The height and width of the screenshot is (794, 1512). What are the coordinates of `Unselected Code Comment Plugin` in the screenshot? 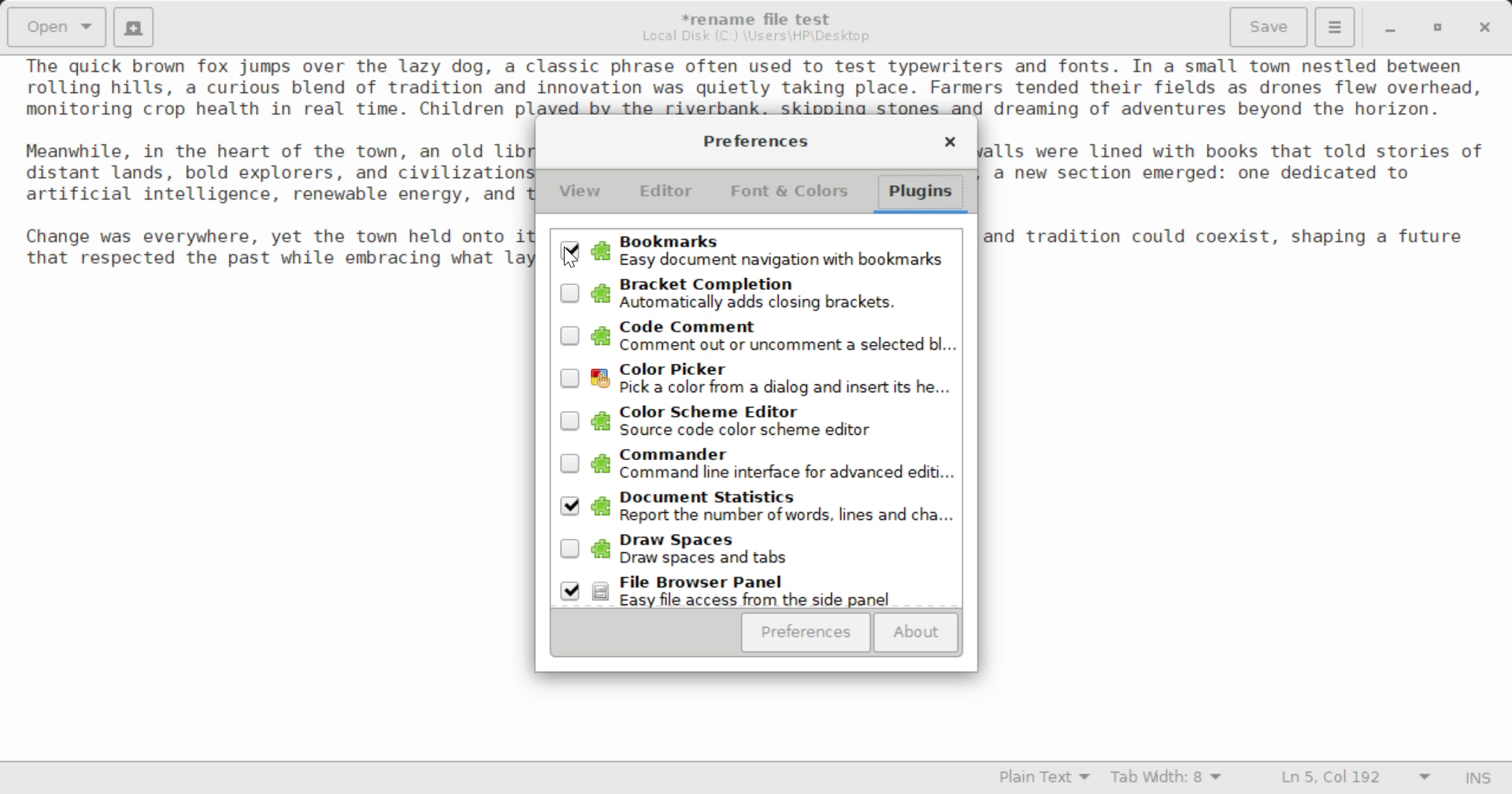 It's located at (761, 337).